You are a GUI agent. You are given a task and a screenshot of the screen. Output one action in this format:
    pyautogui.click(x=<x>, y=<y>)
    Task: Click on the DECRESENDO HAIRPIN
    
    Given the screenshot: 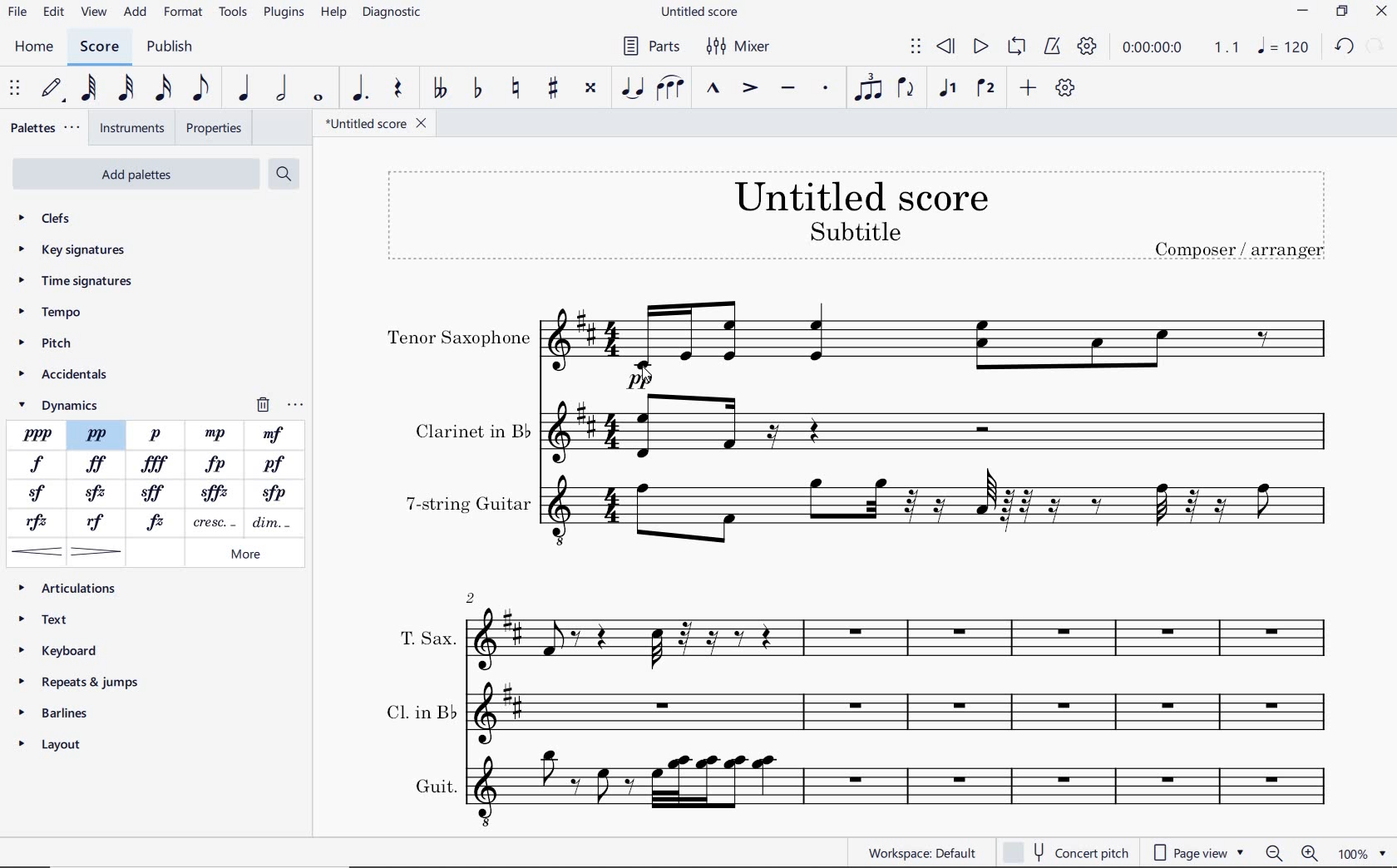 What is the action you would take?
    pyautogui.click(x=97, y=551)
    